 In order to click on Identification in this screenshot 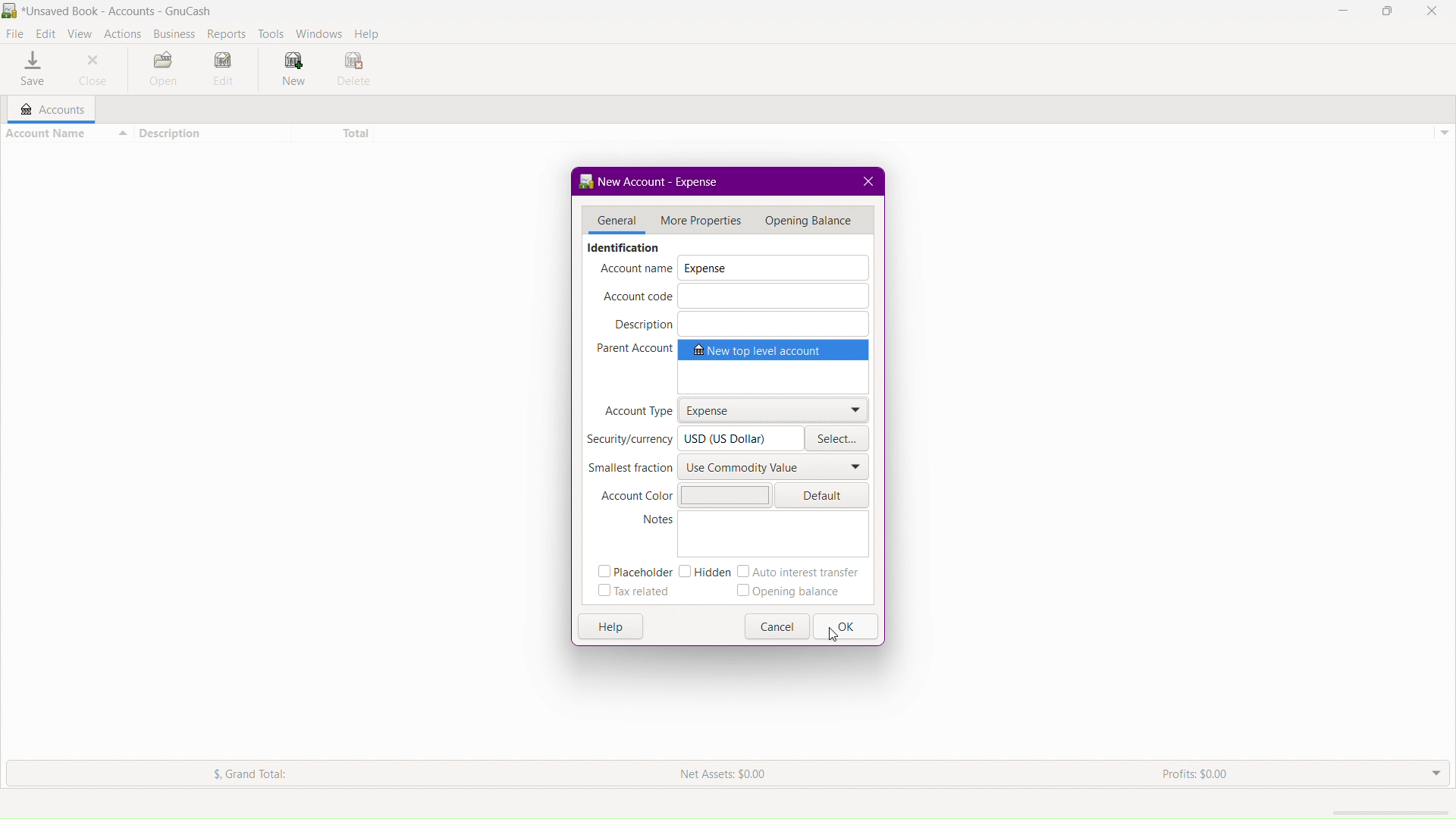, I will do `click(622, 247)`.